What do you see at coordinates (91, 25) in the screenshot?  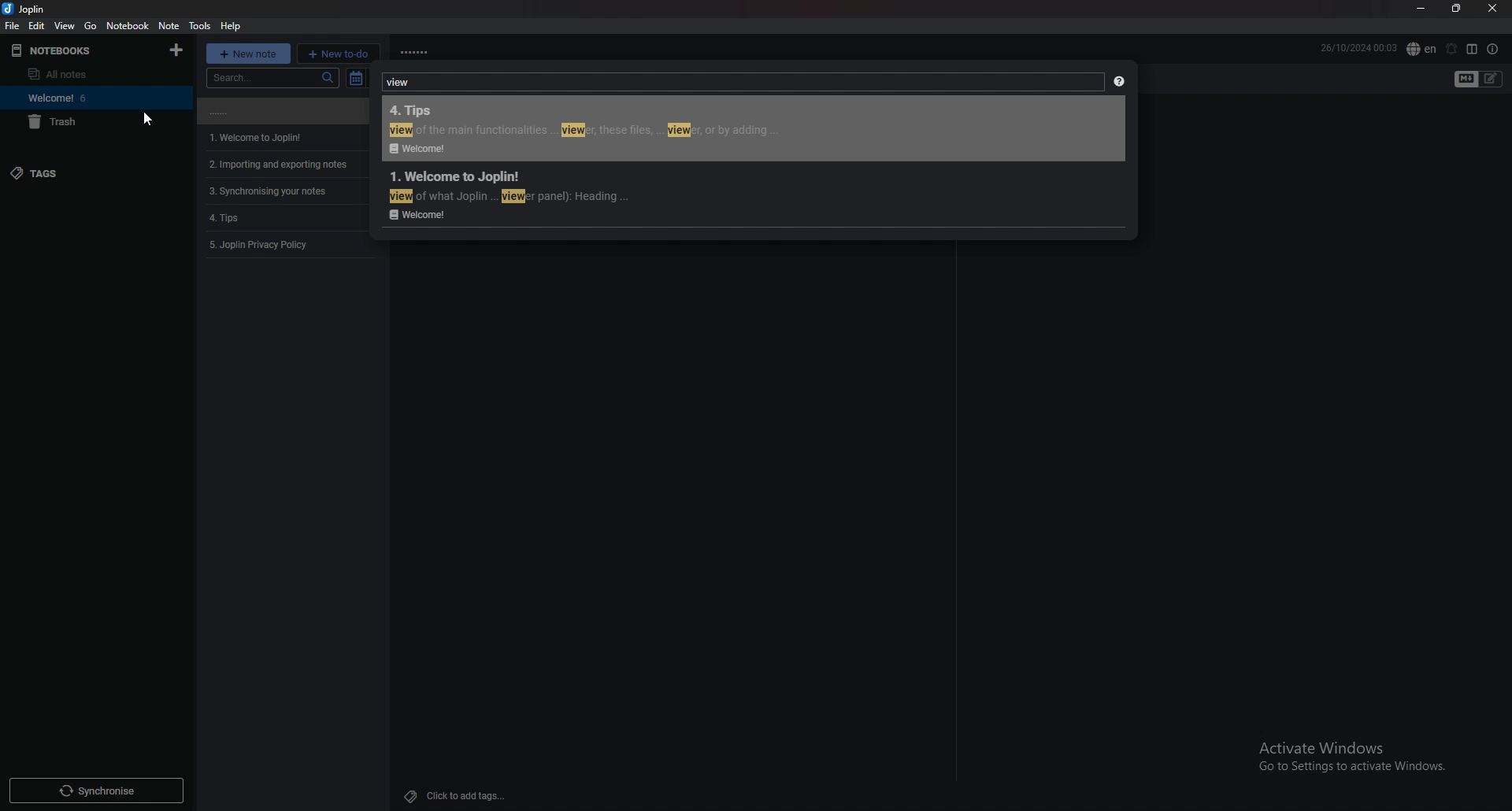 I see `go` at bounding box center [91, 25].